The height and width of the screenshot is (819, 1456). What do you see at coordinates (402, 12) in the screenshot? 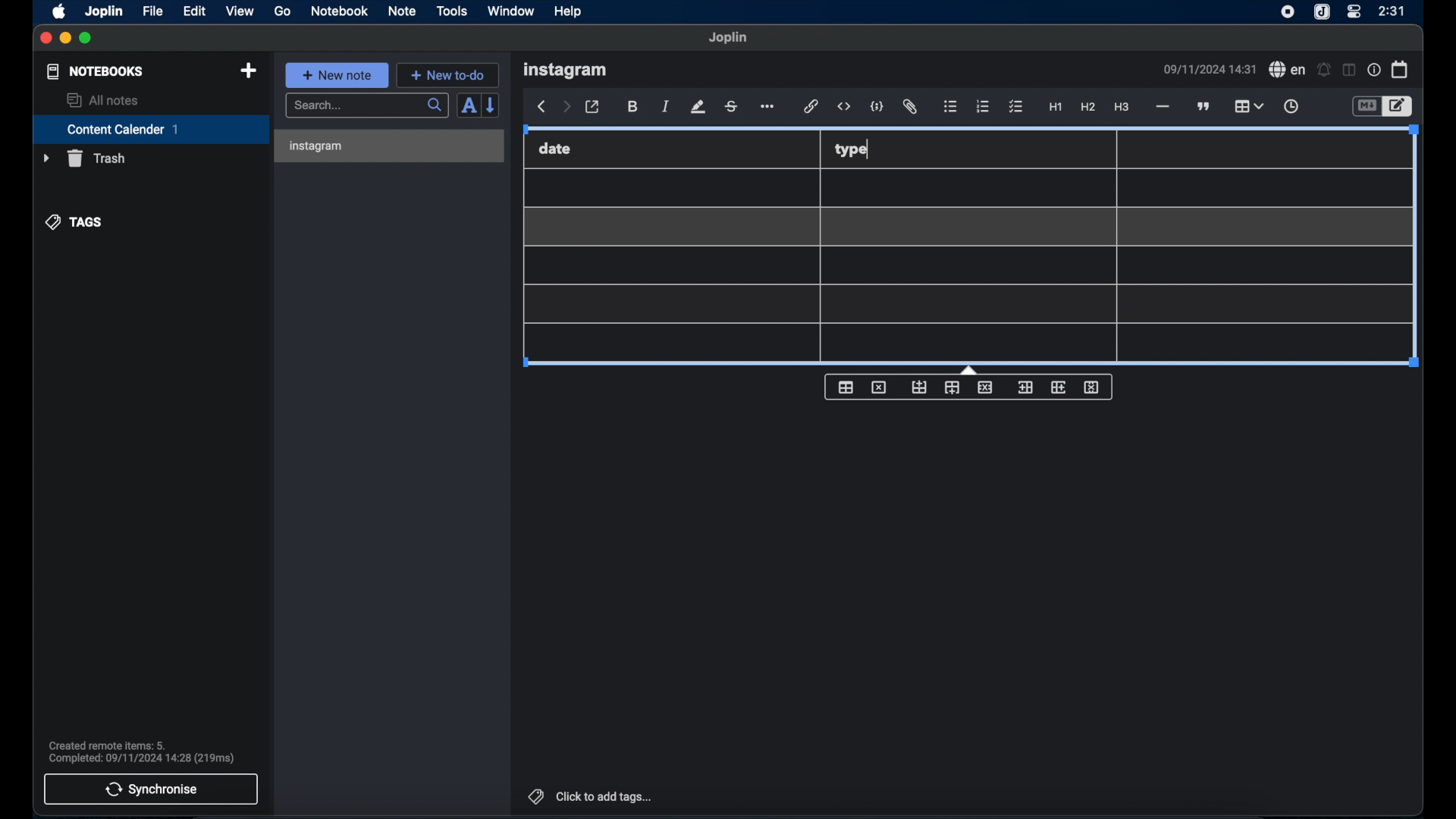
I see `note` at bounding box center [402, 12].